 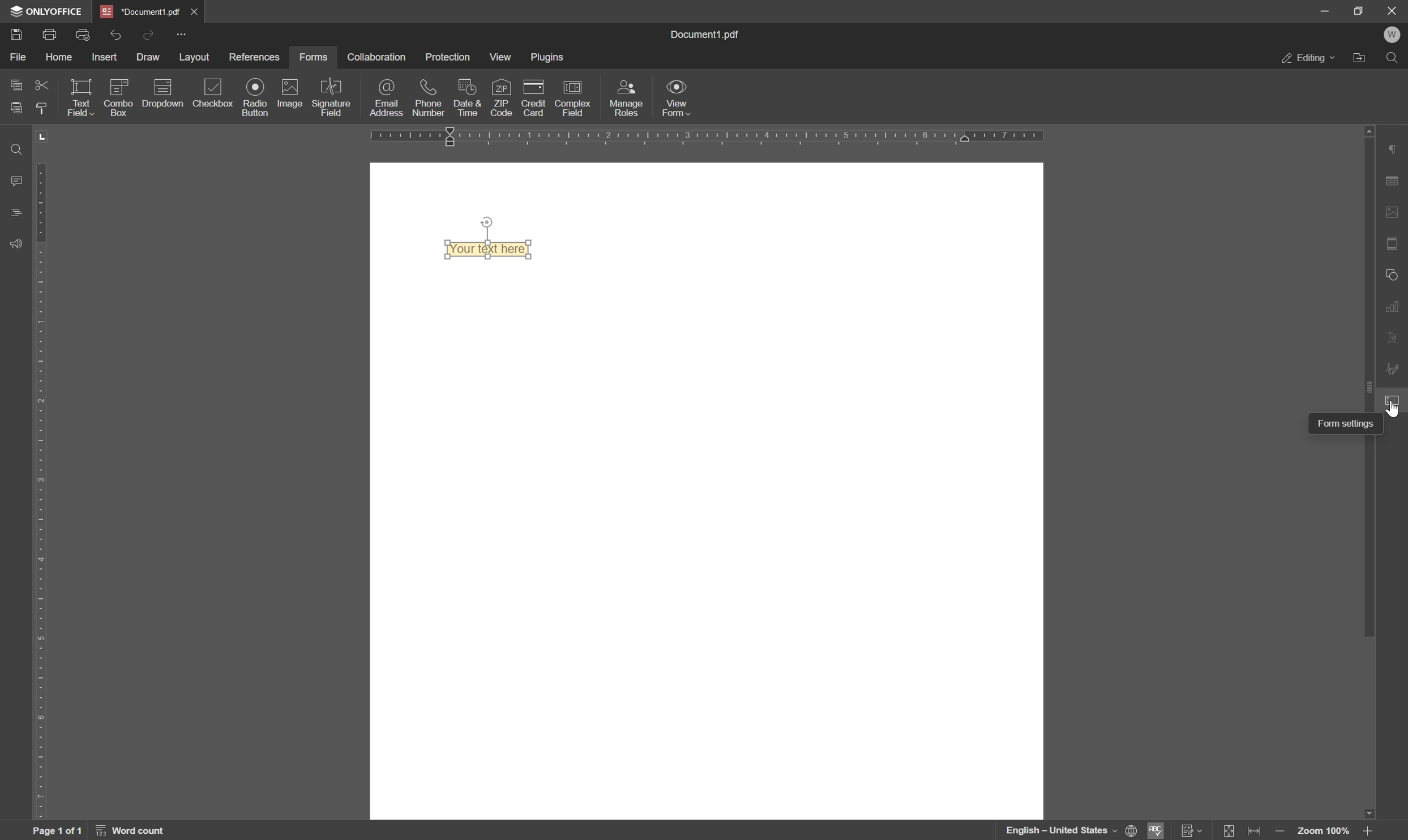 What do you see at coordinates (1325, 832) in the screenshot?
I see `zoom 100%` at bounding box center [1325, 832].